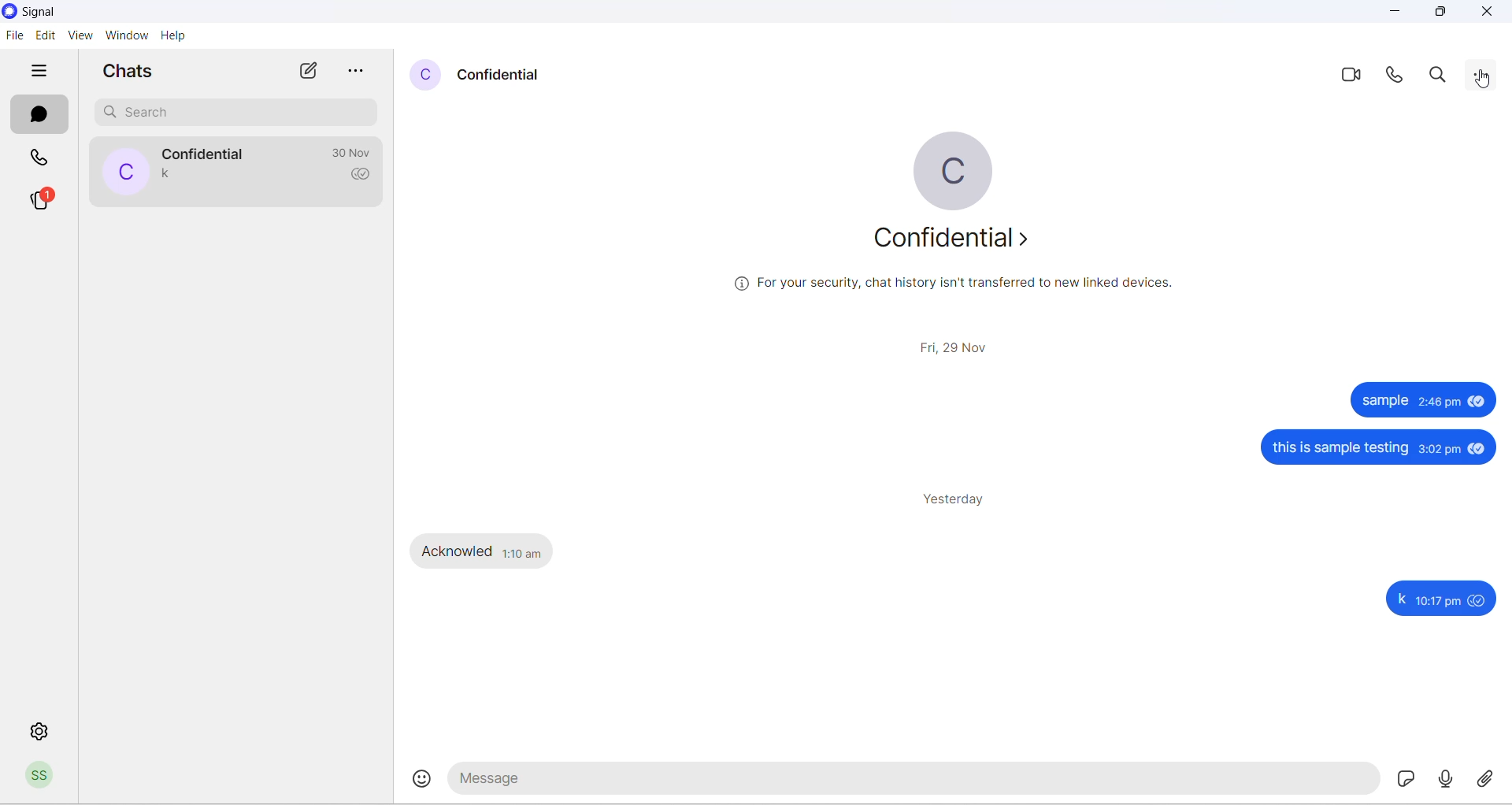 This screenshot has height=805, width=1512. Describe the element at coordinates (205, 153) in the screenshot. I see `contact name` at that location.